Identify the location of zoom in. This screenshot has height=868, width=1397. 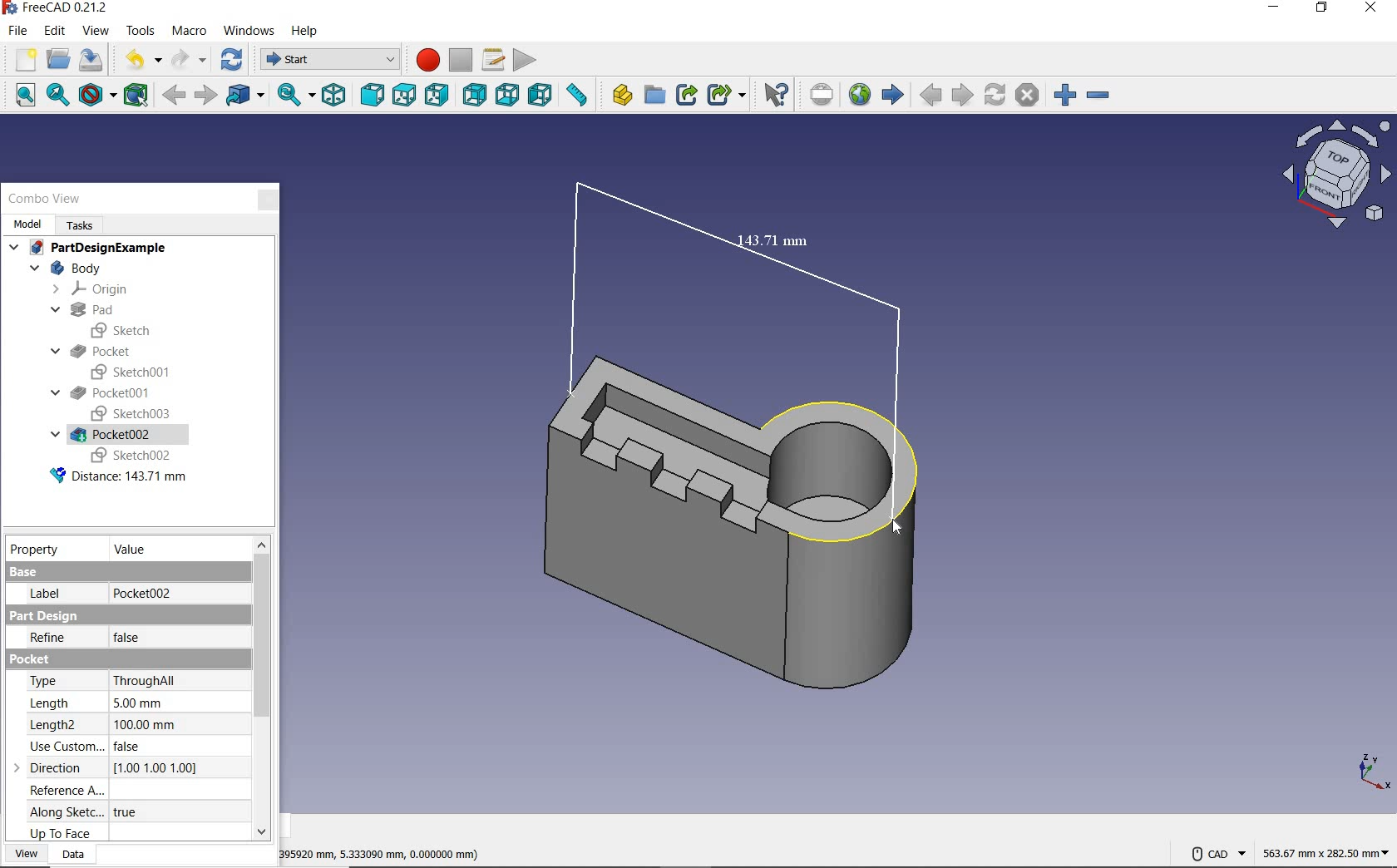
(1065, 96).